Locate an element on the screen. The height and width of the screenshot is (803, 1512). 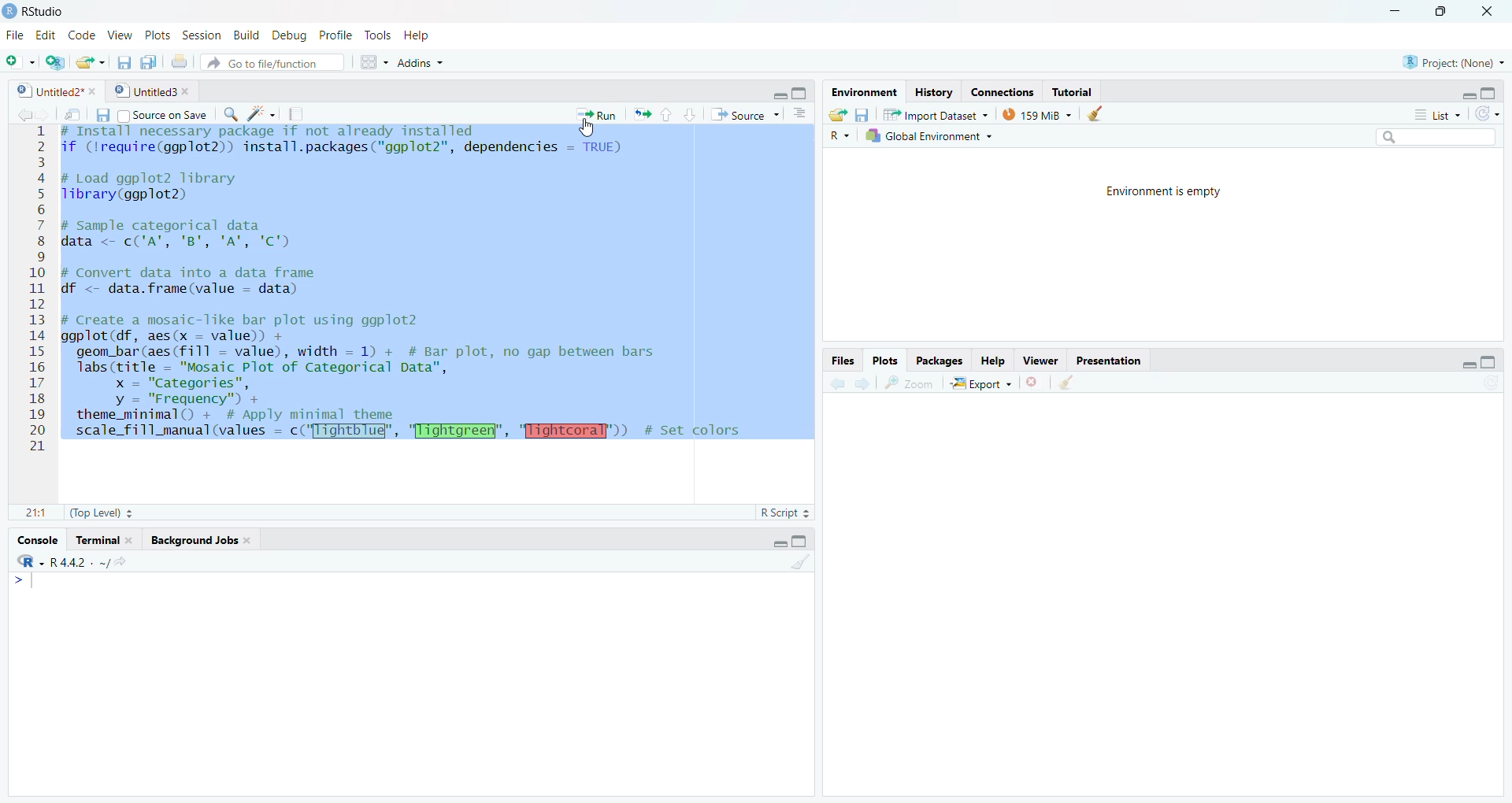
R 4.2.2 . ~ / is located at coordinates (78, 564).